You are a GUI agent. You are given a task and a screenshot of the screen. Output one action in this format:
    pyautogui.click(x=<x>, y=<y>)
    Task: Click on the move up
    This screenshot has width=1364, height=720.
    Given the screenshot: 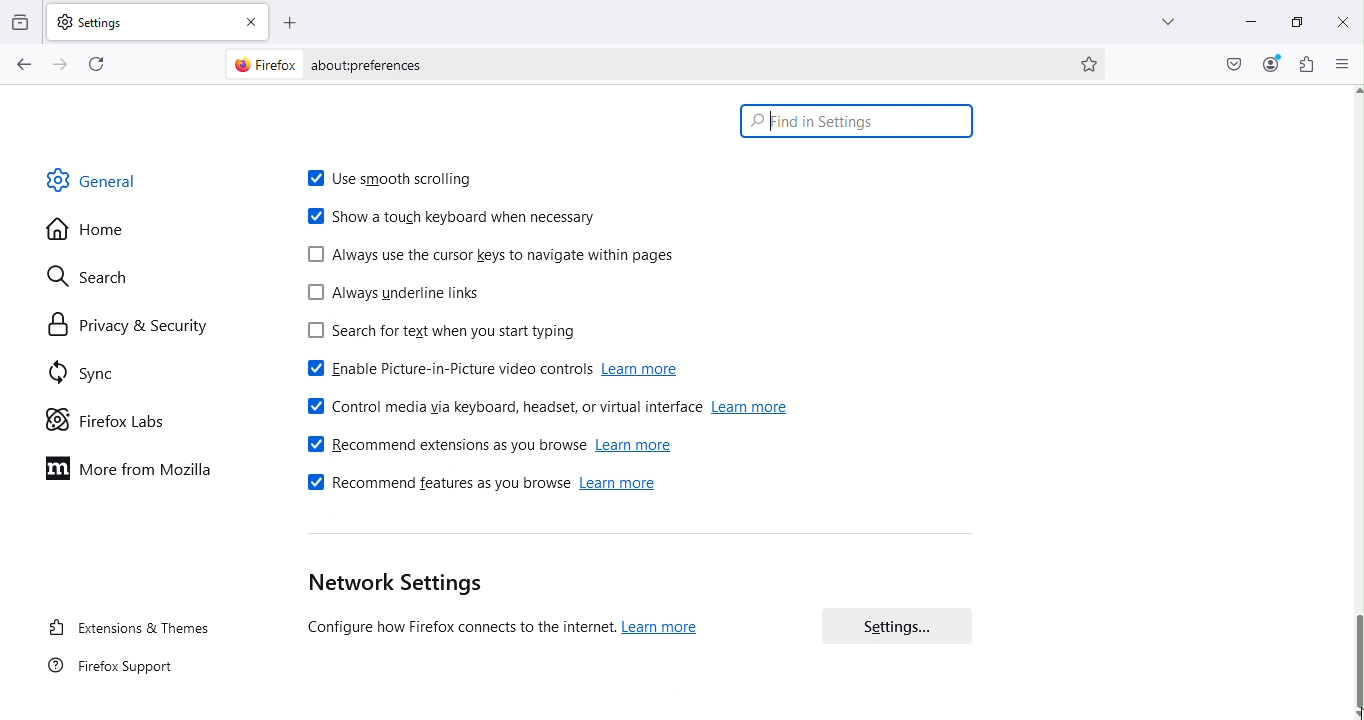 What is the action you would take?
    pyautogui.click(x=1355, y=88)
    